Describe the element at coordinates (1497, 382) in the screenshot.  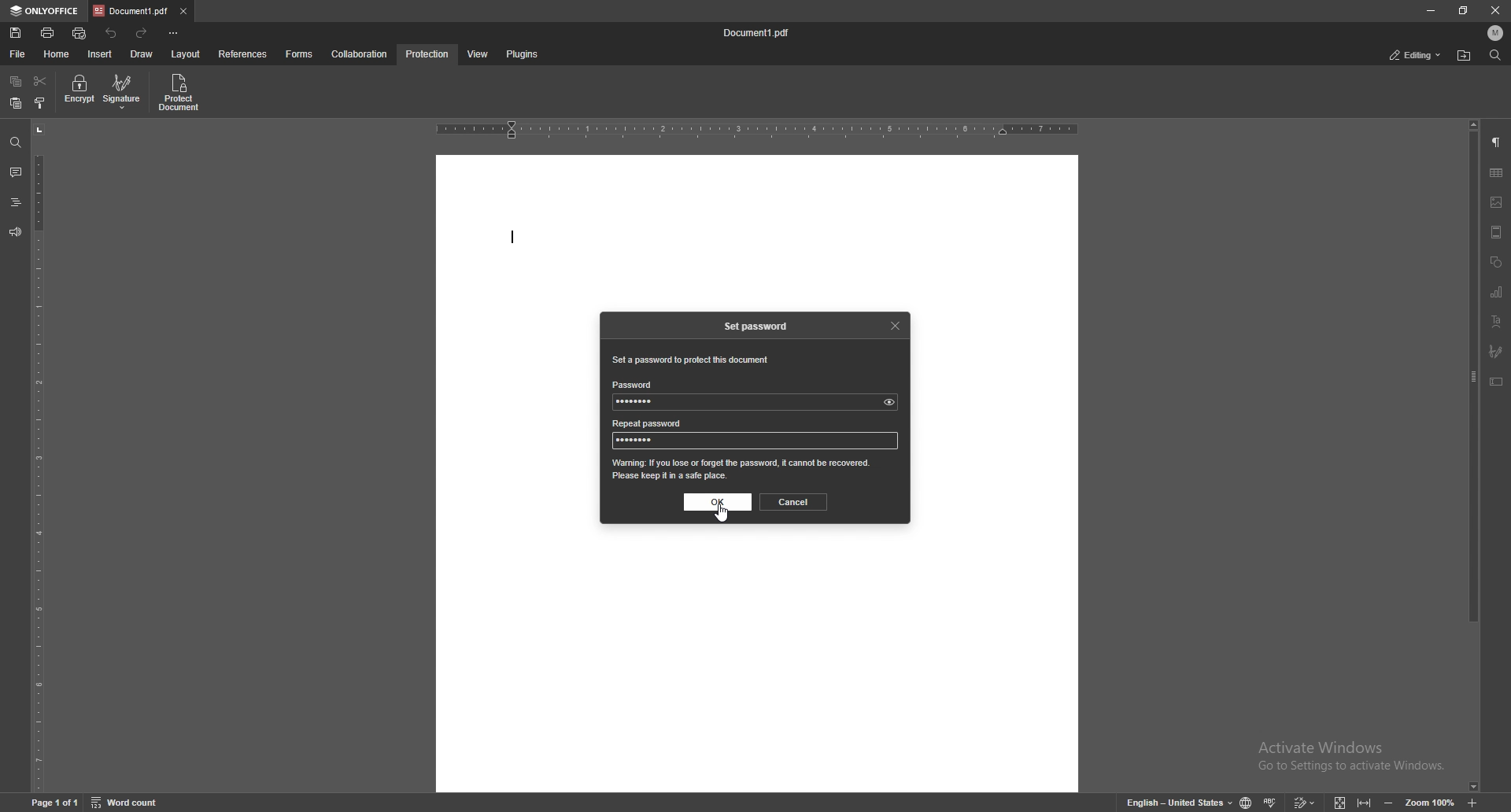
I see `text box` at that location.